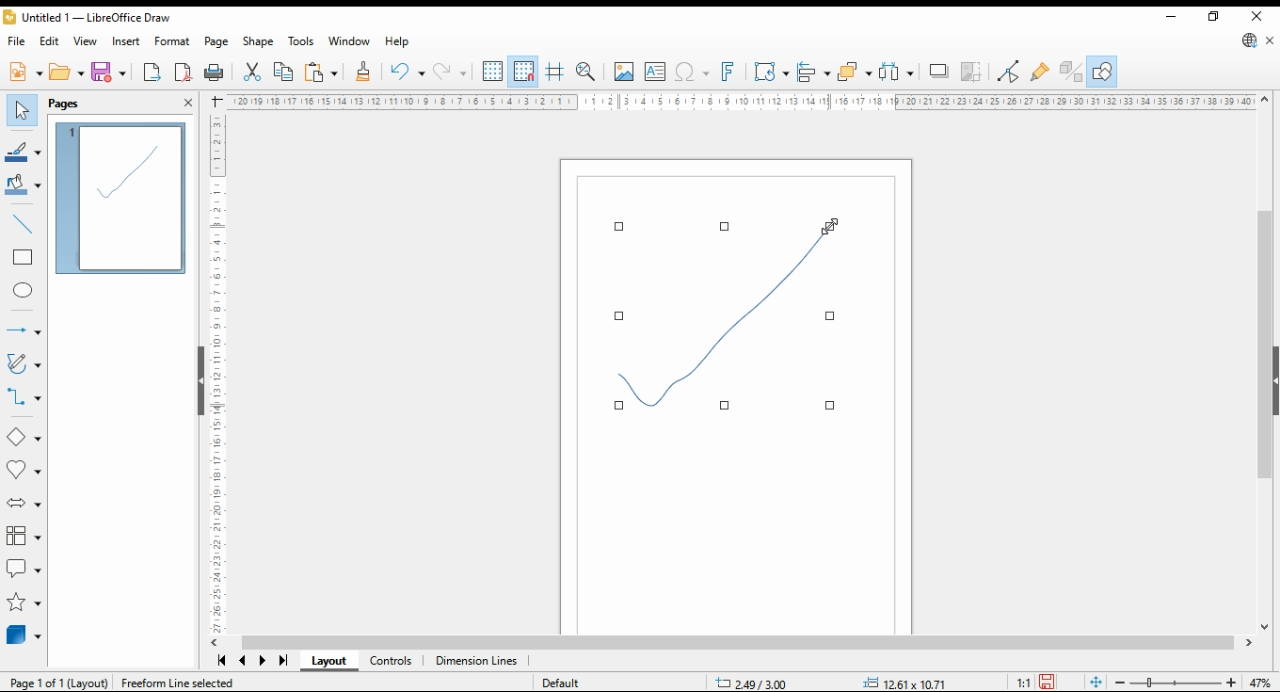 The height and width of the screenshot is (692, 1280). I want to click on show draw functions, so click(1103, 71).